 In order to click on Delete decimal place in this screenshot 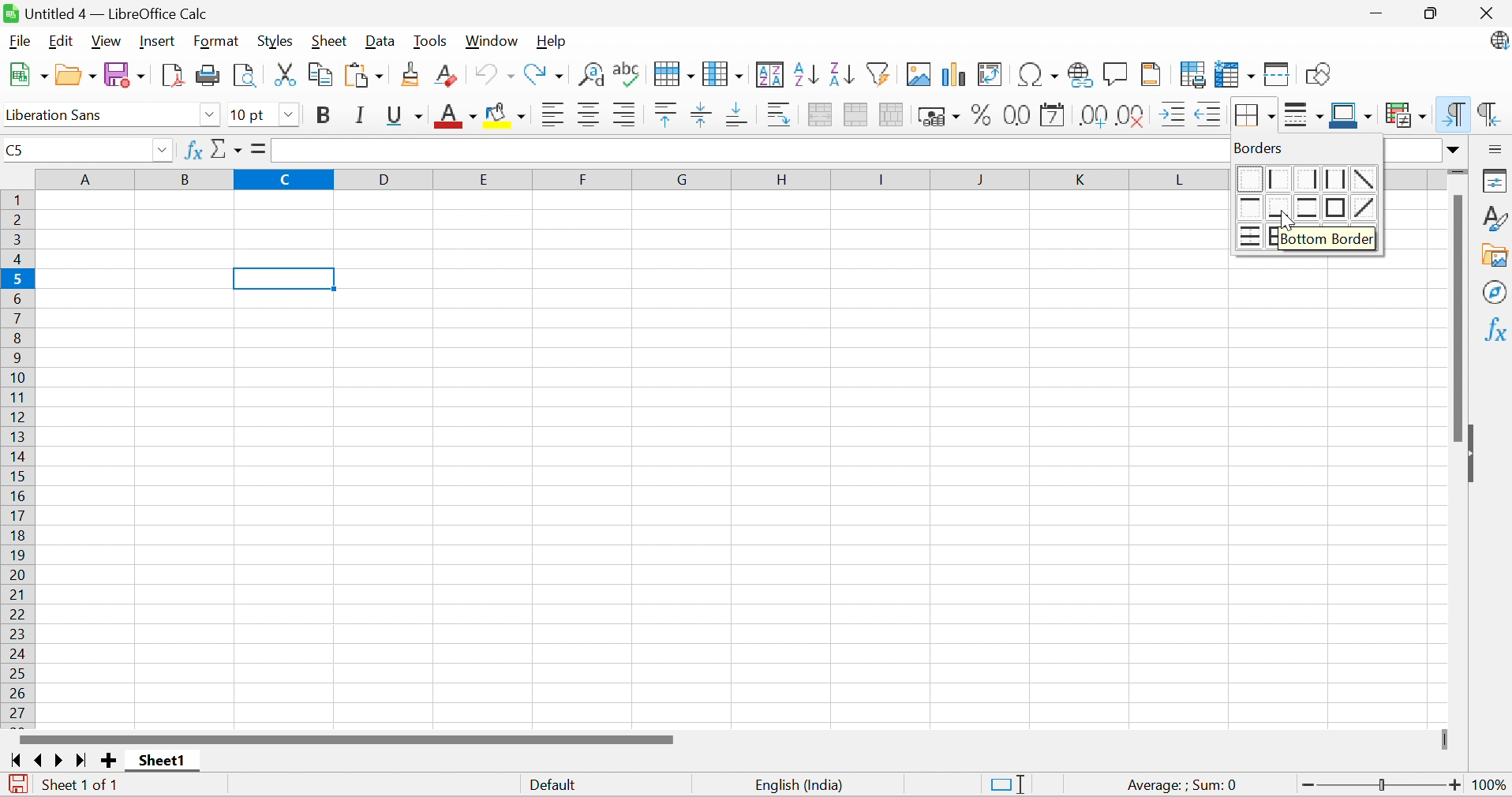, I will do `click(1132, 115)`.